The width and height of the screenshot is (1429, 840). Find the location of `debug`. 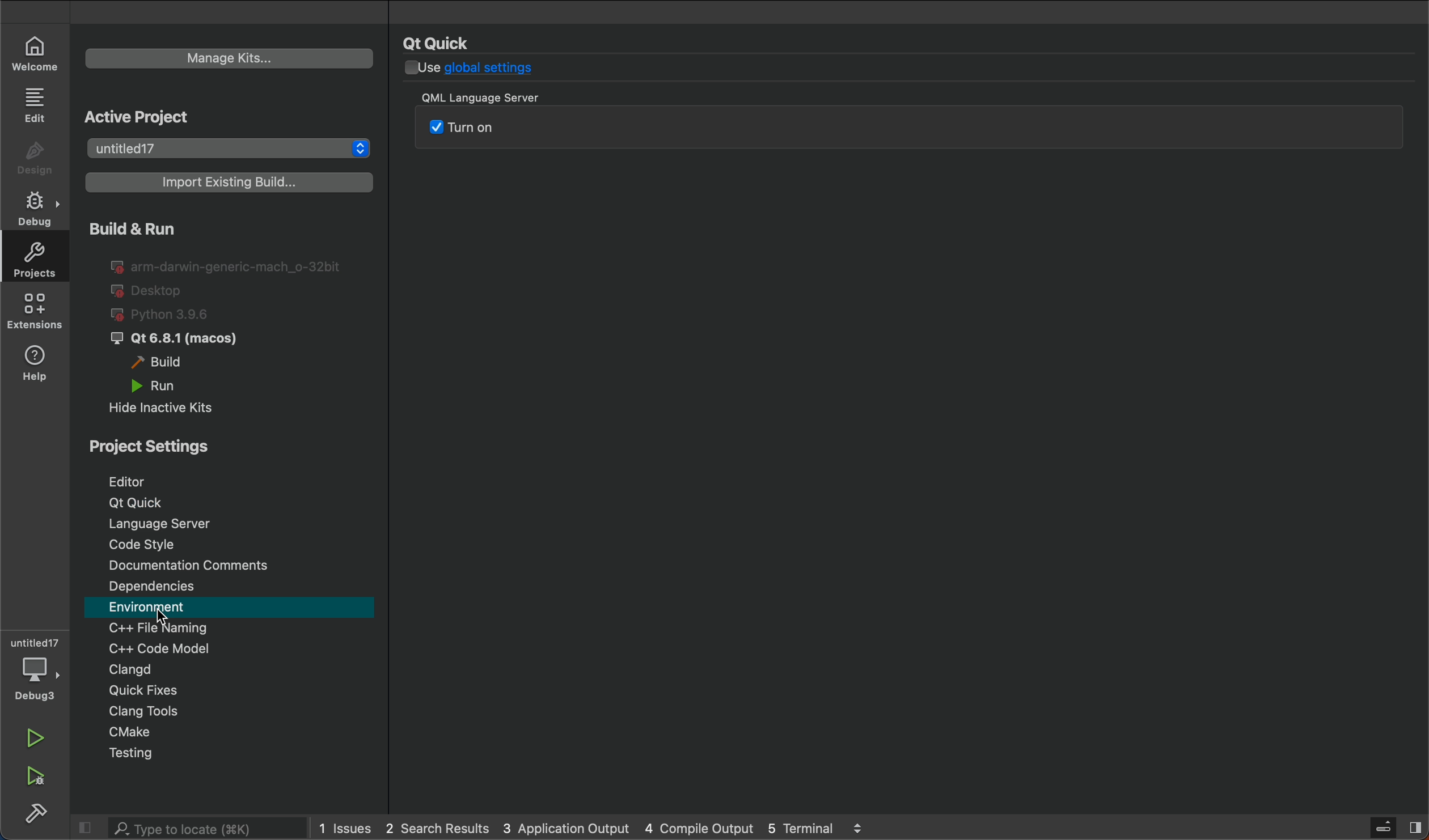

debug is located at coordinates (39, 669).